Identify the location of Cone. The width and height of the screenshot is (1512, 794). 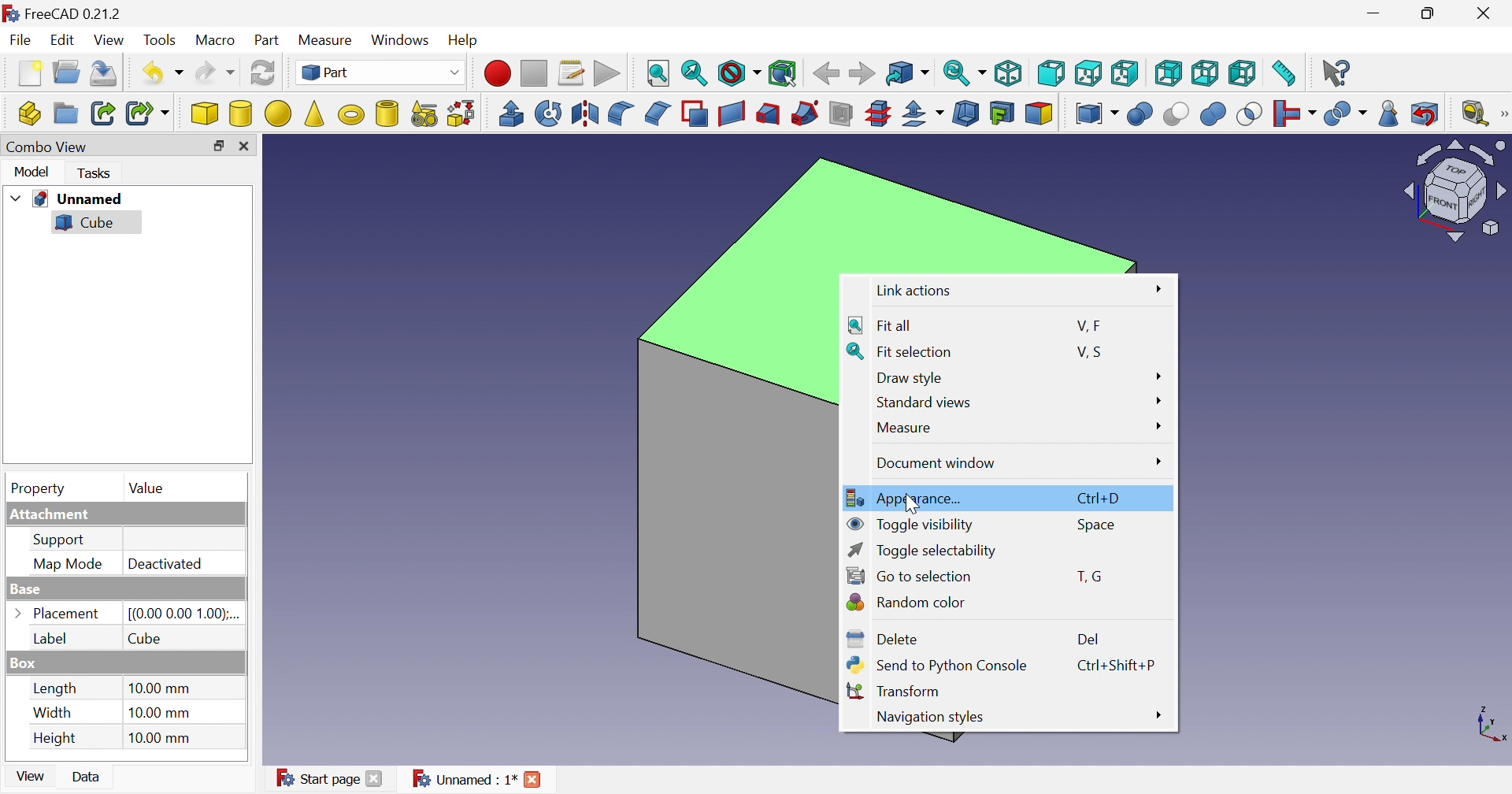
(317, 114).